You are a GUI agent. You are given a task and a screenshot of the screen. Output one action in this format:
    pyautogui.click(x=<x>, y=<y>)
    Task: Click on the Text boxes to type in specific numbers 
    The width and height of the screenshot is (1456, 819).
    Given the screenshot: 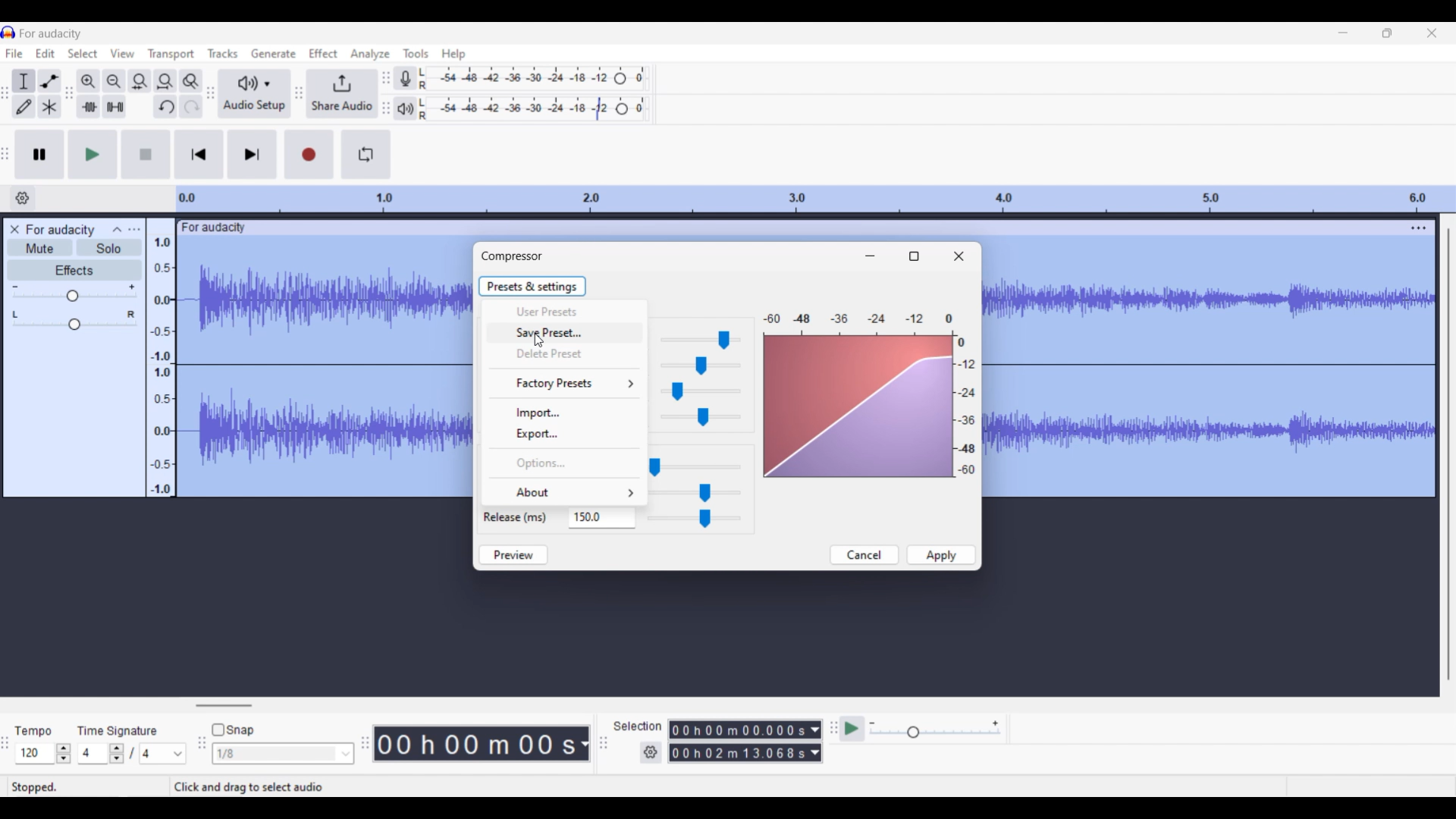 What is the action you would take?
    pyautogui.click(x=611, y=518)
    